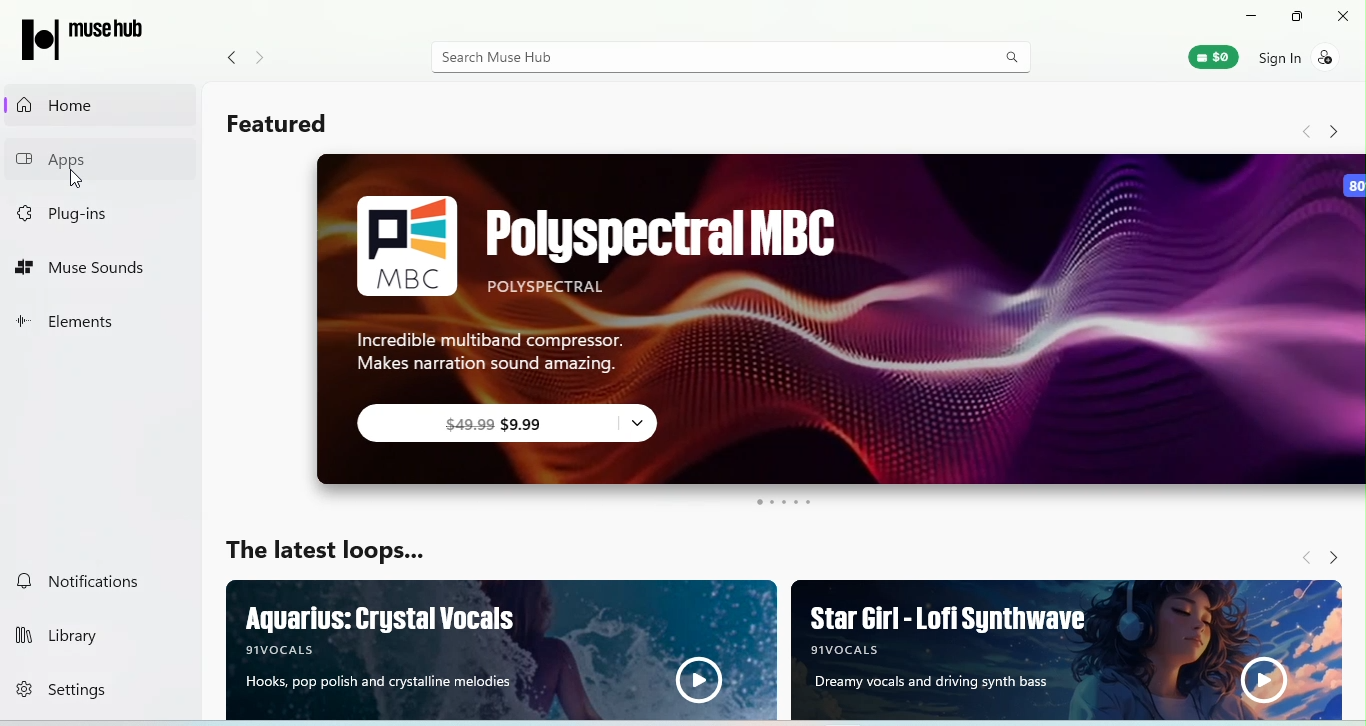  What do you see at coordinates (232, 57) in the screenshot?
I see `Navigate back` at bounding box center [232, 57].